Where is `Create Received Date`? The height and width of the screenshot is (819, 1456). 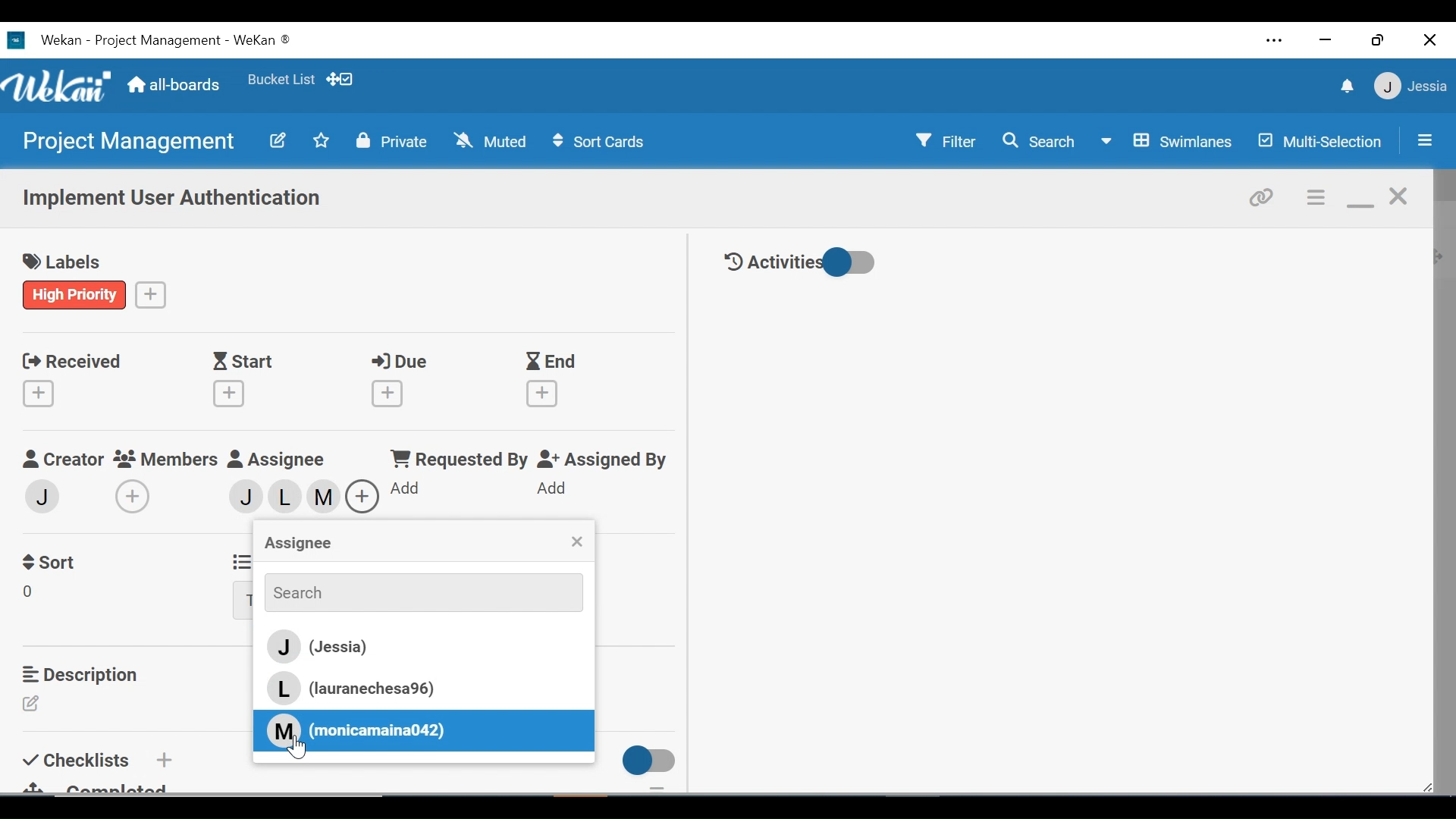
Create Received Date is located at coordinates (42, 393).